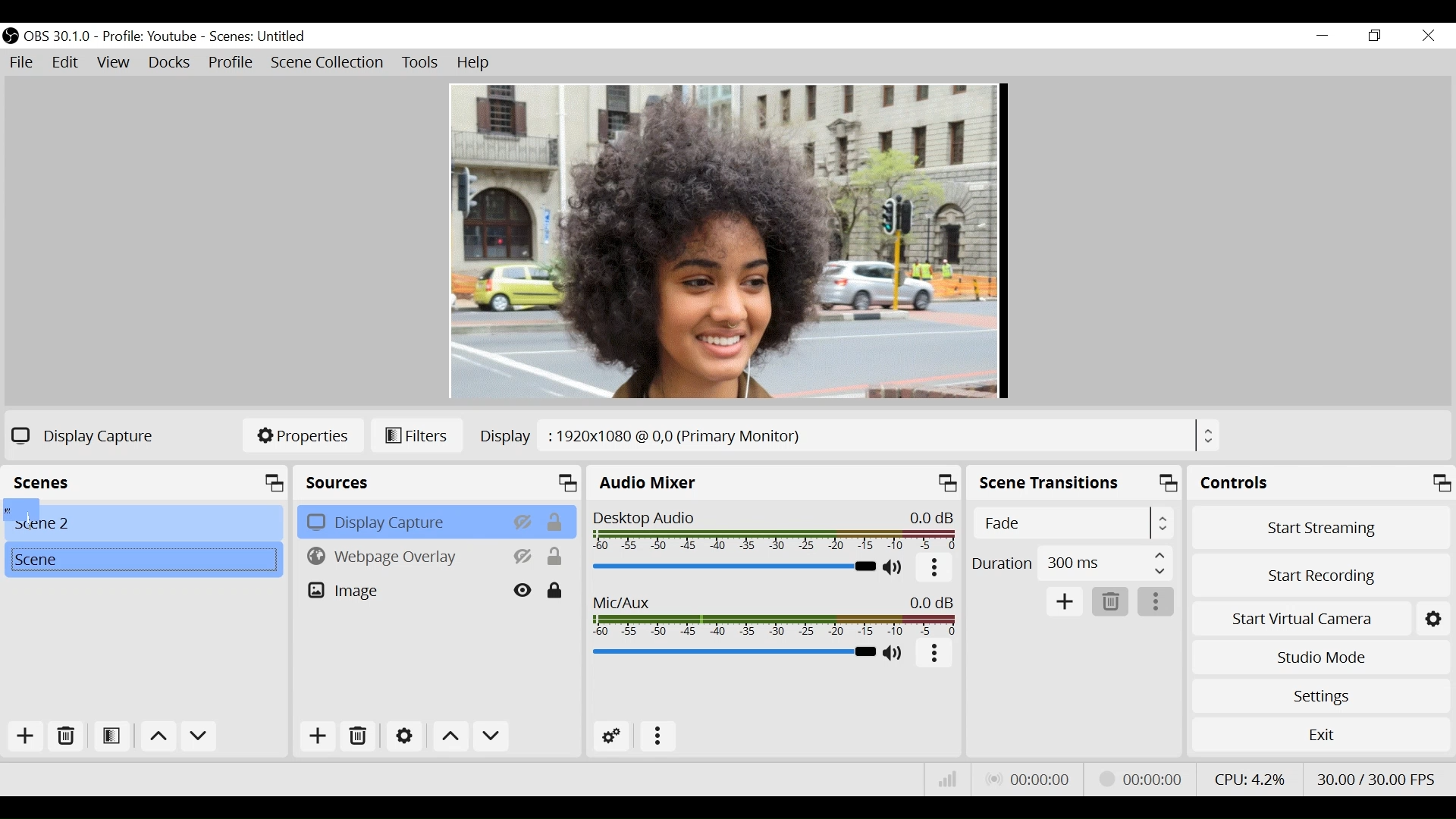  I want to click on View, so click(115, 63).